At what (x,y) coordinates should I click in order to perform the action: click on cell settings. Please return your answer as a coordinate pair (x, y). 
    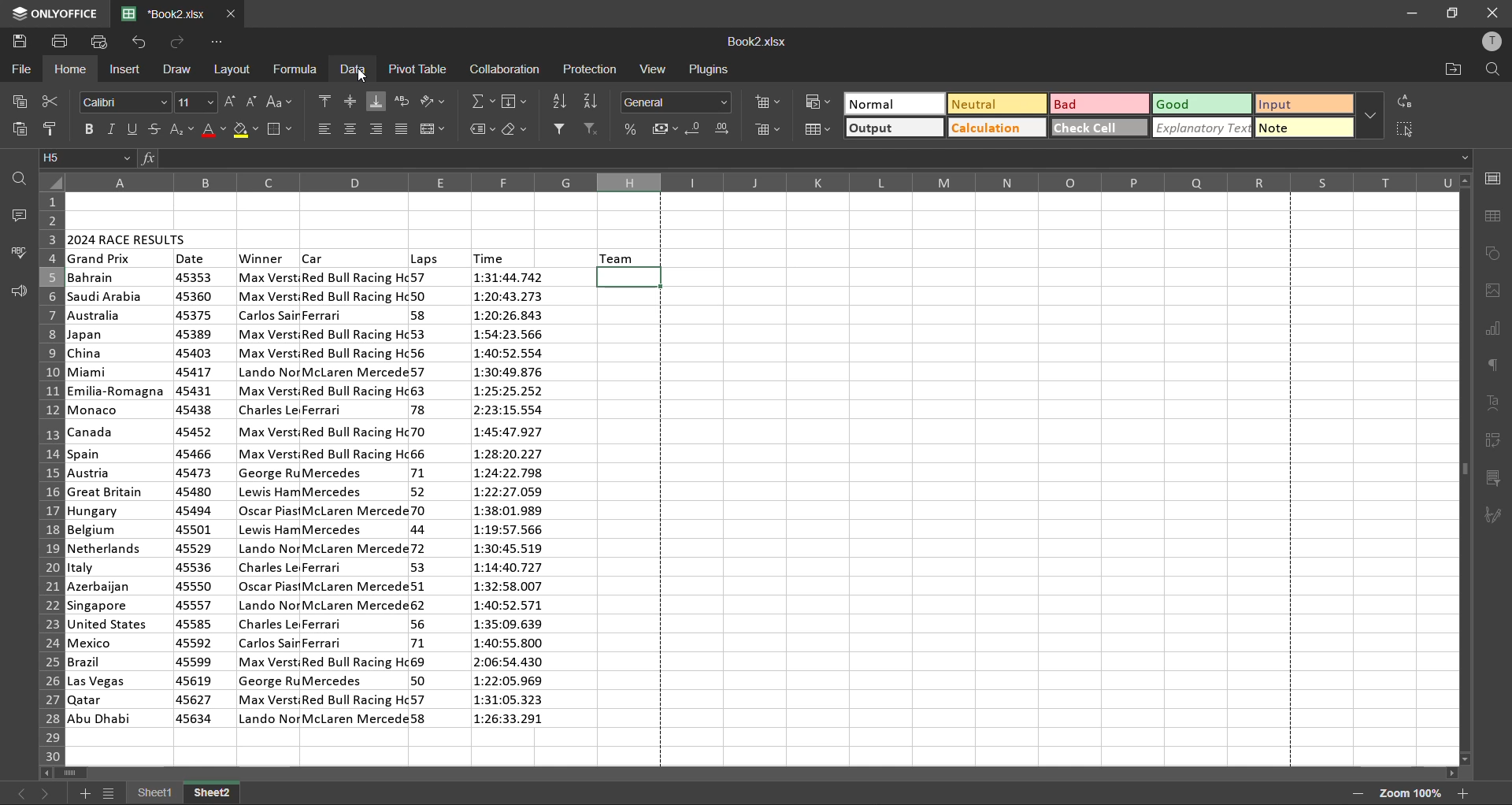
    Looking at the image, I should click on (1492, 178).